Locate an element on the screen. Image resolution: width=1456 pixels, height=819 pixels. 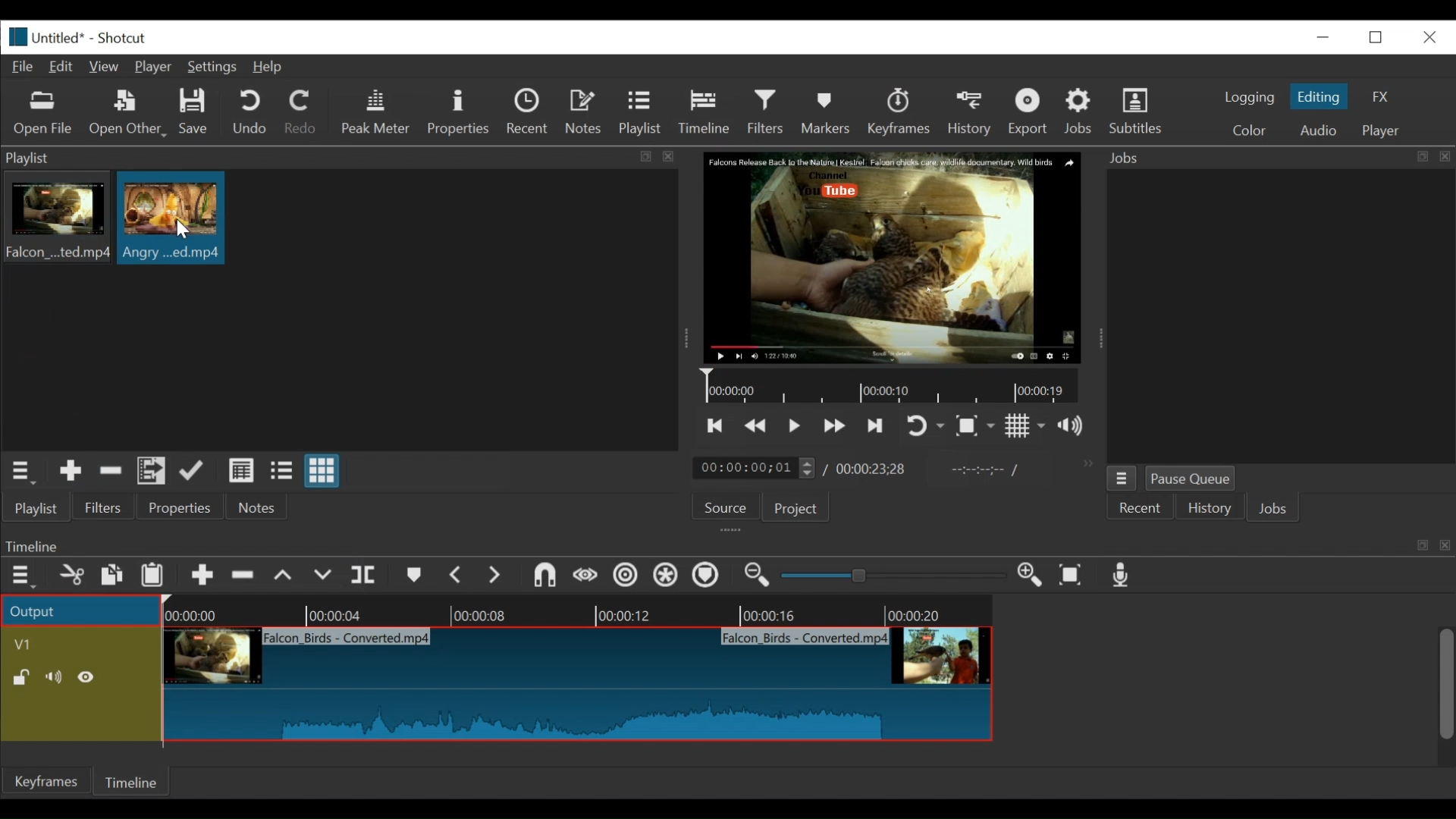
Ripple  is located at coordinates (626, 577).